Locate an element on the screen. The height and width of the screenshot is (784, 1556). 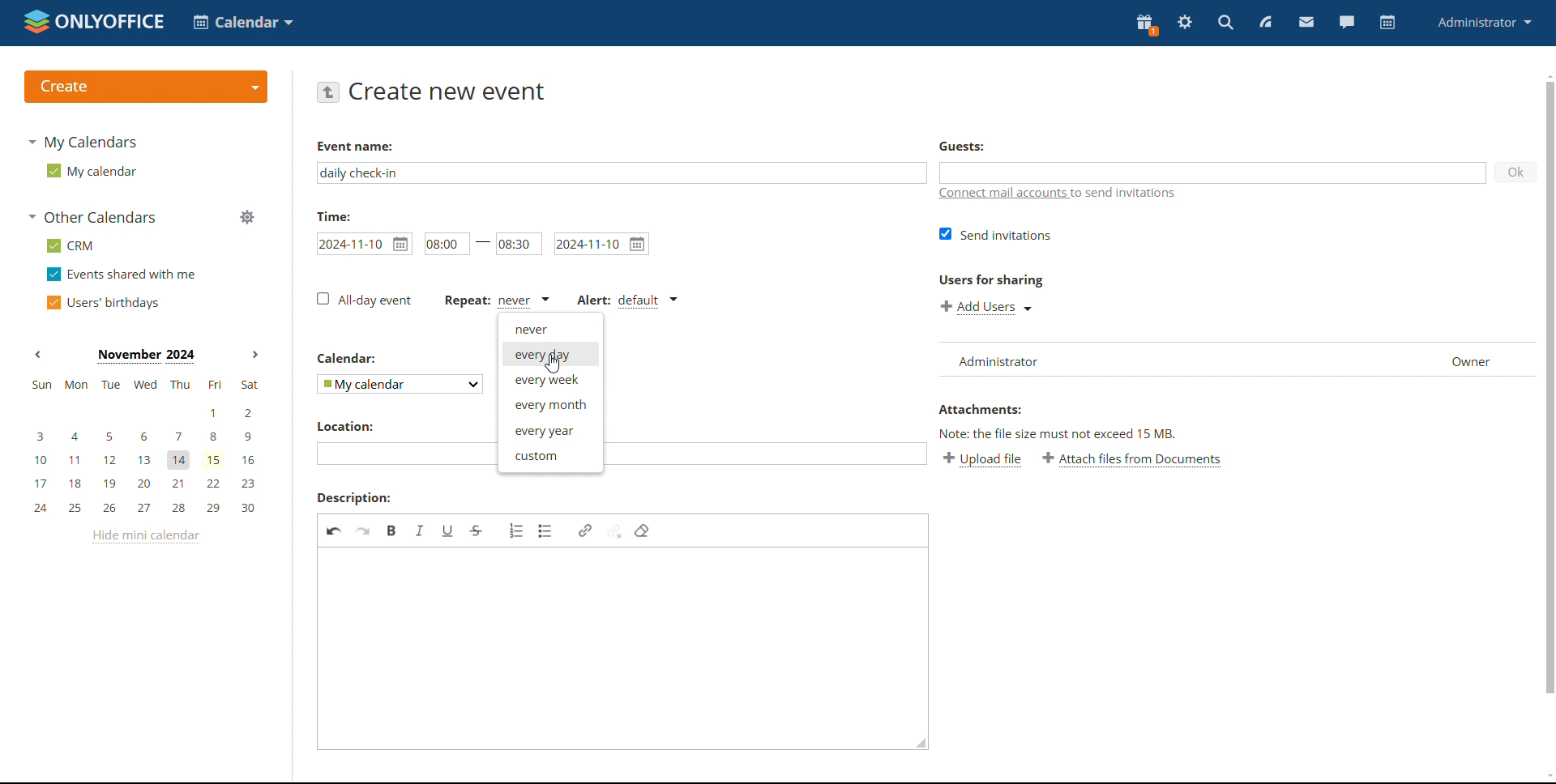
resize box is located at coordinates (921, 744).